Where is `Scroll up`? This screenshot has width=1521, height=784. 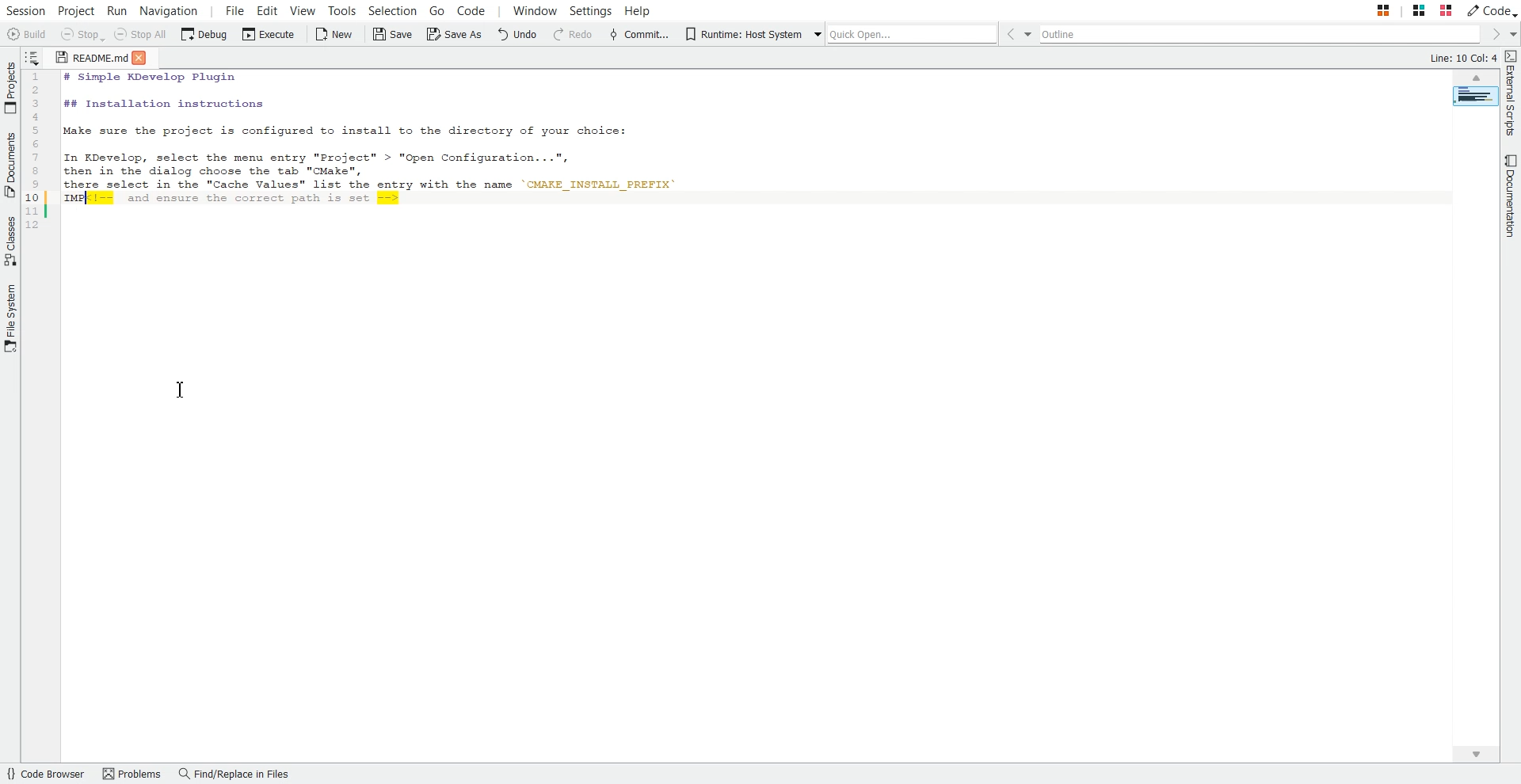
Scroll up is located at coordinates (1475, 77).